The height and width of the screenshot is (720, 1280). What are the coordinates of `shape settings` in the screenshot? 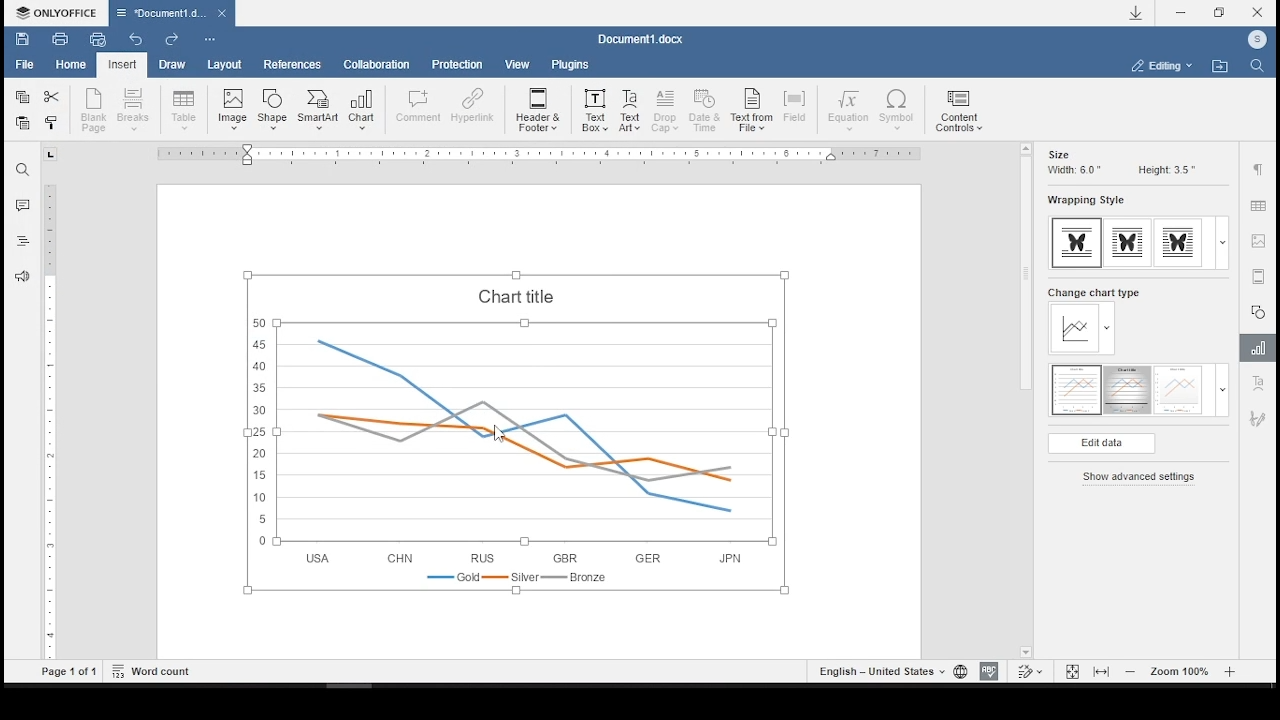 It's located at (1259, 311).